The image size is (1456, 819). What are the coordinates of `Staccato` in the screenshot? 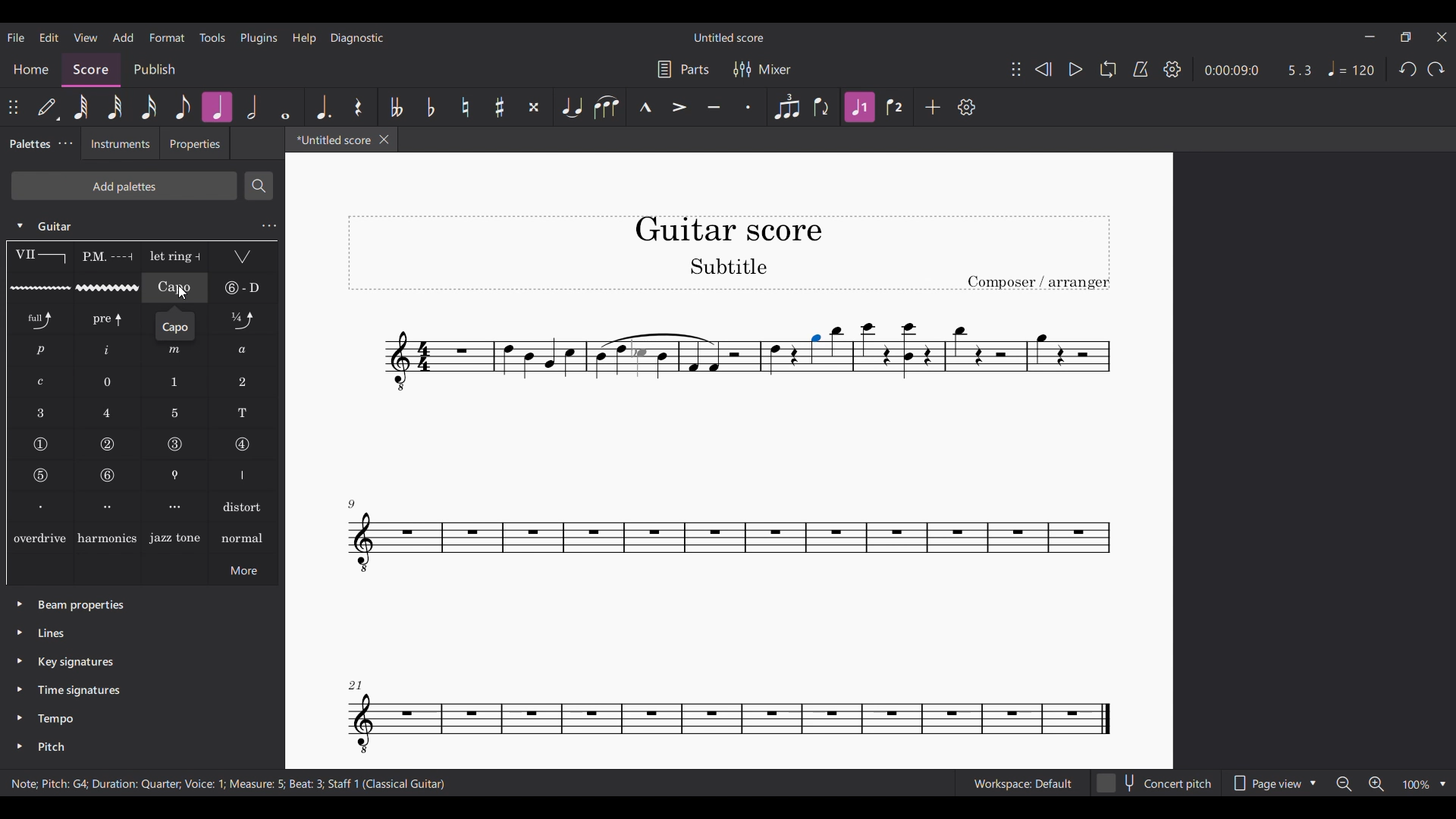 It's located at (748, 107).